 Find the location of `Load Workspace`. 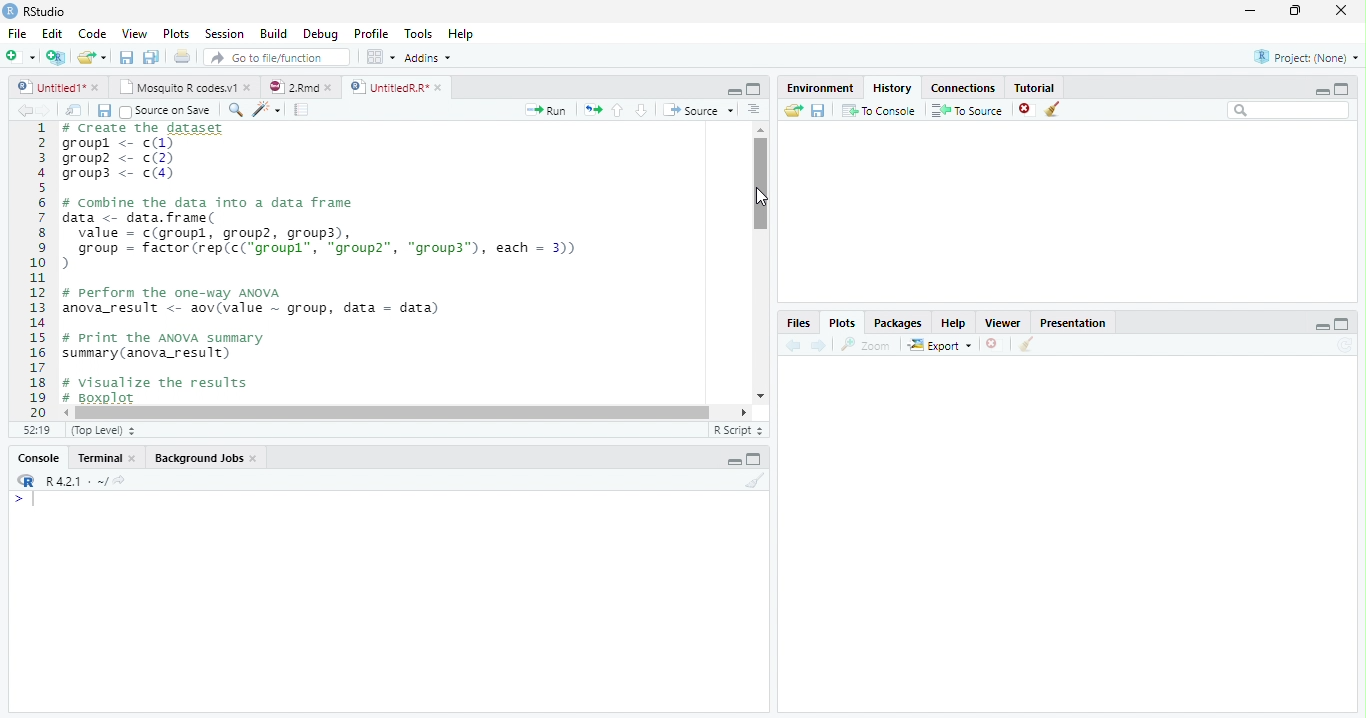

Load Workspace is located at coordinates (794, 111).